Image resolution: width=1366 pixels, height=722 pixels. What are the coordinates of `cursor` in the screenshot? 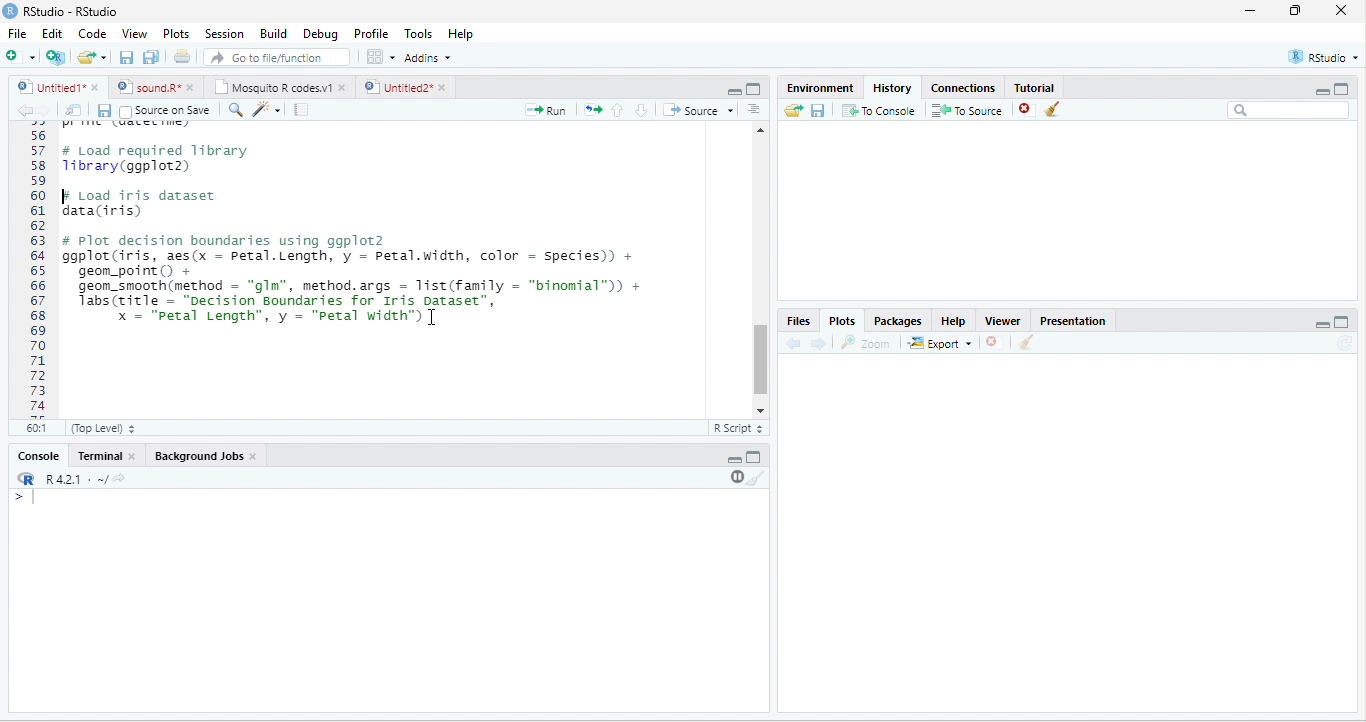 It's located at (431, 317).